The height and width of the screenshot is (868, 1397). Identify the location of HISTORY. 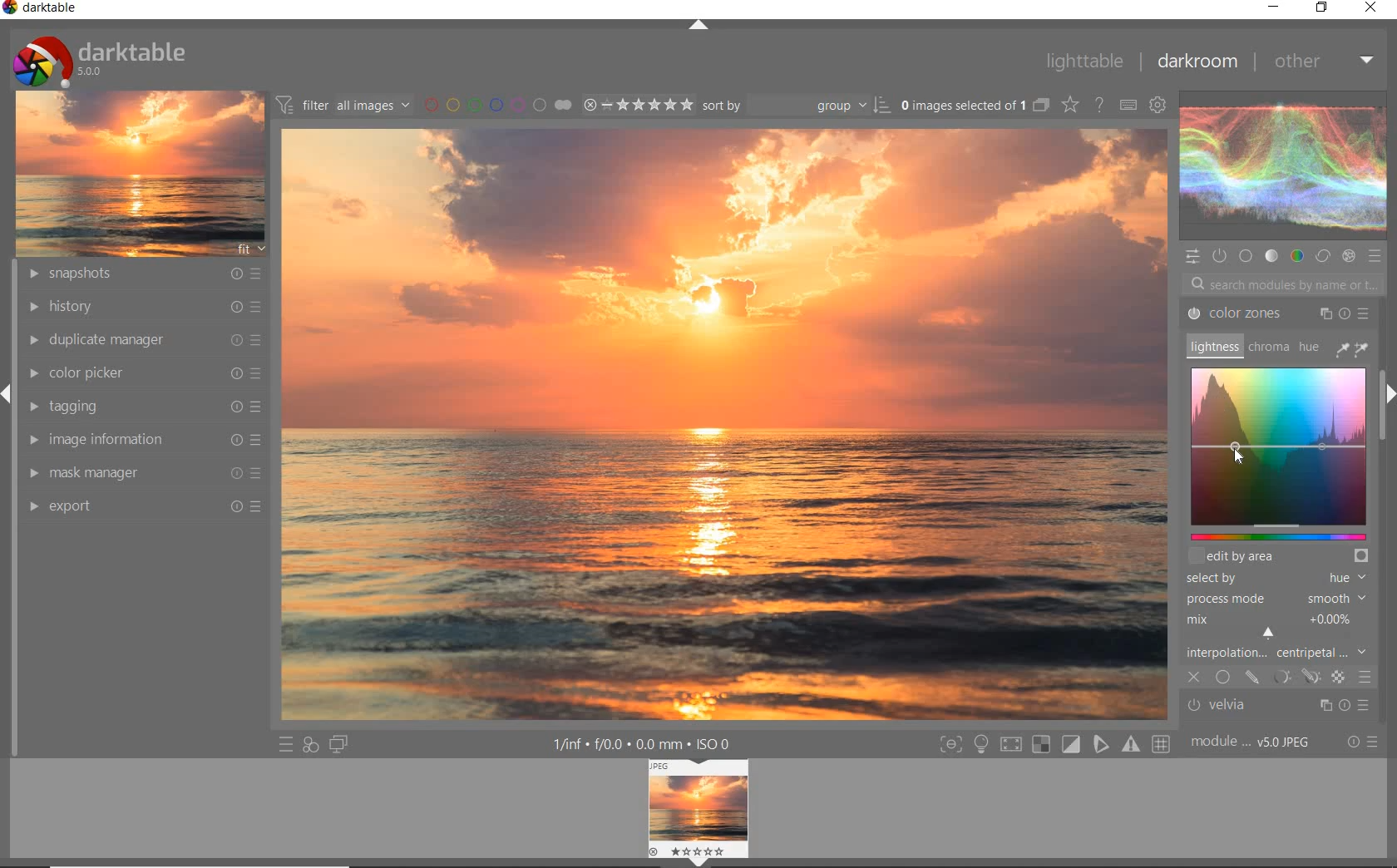
(143, 307).